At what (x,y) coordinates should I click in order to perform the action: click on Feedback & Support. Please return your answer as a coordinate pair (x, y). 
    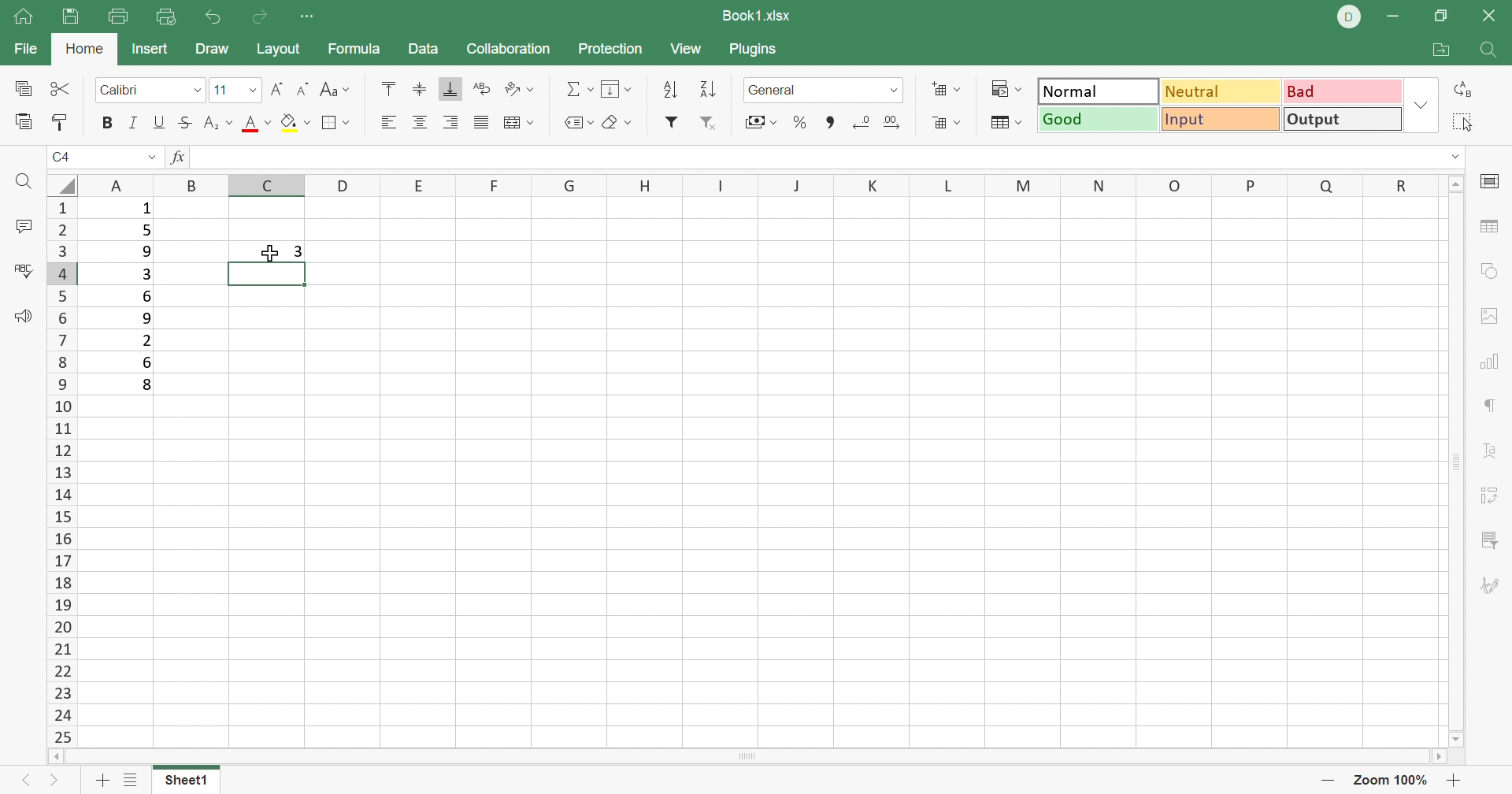
    Looking at the image, I should click on (24, 316).